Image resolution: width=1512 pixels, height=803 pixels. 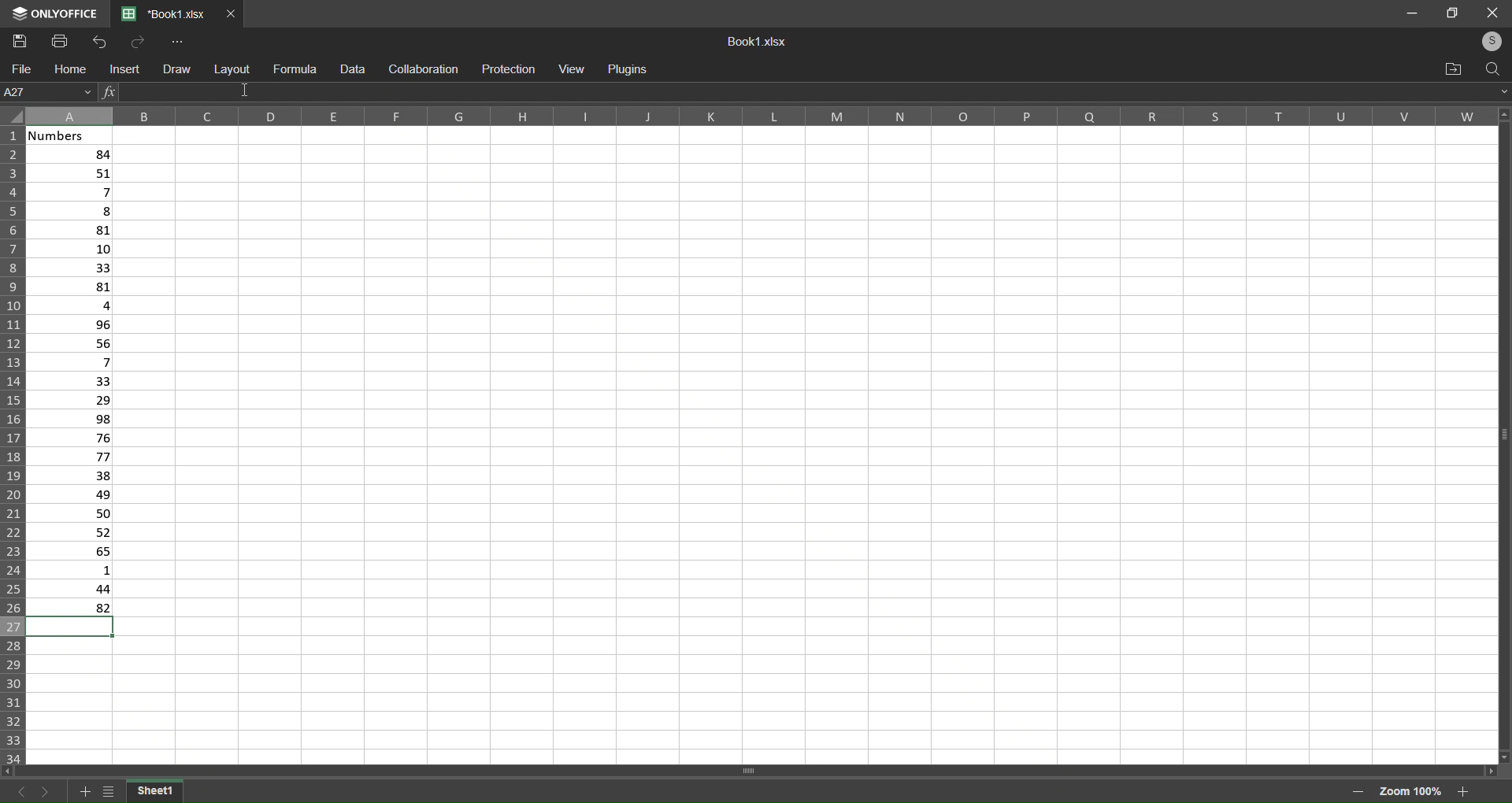 I want to click on Close Tab, so click(x=232, y=13).